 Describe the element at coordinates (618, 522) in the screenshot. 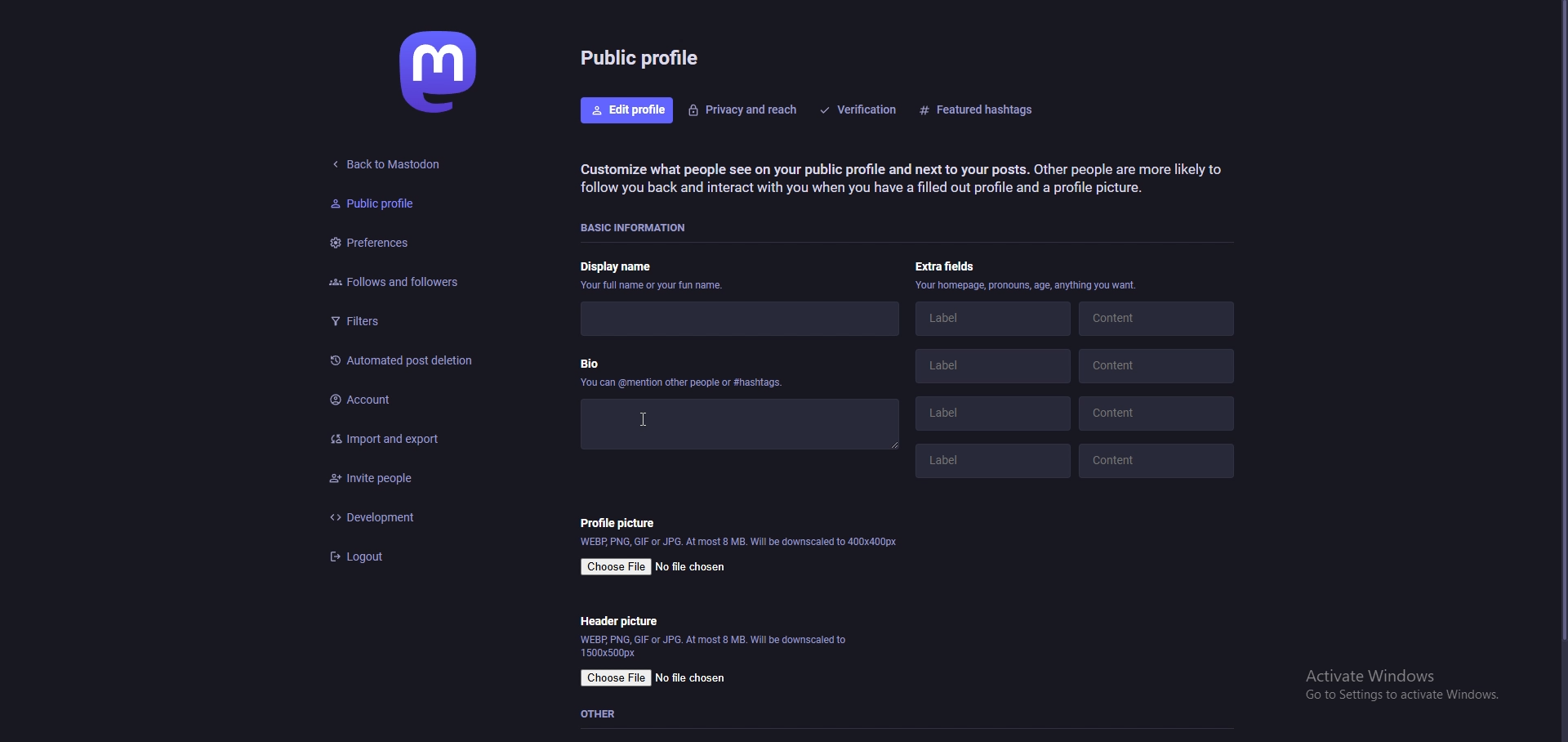

I see `profile picture` at that location.